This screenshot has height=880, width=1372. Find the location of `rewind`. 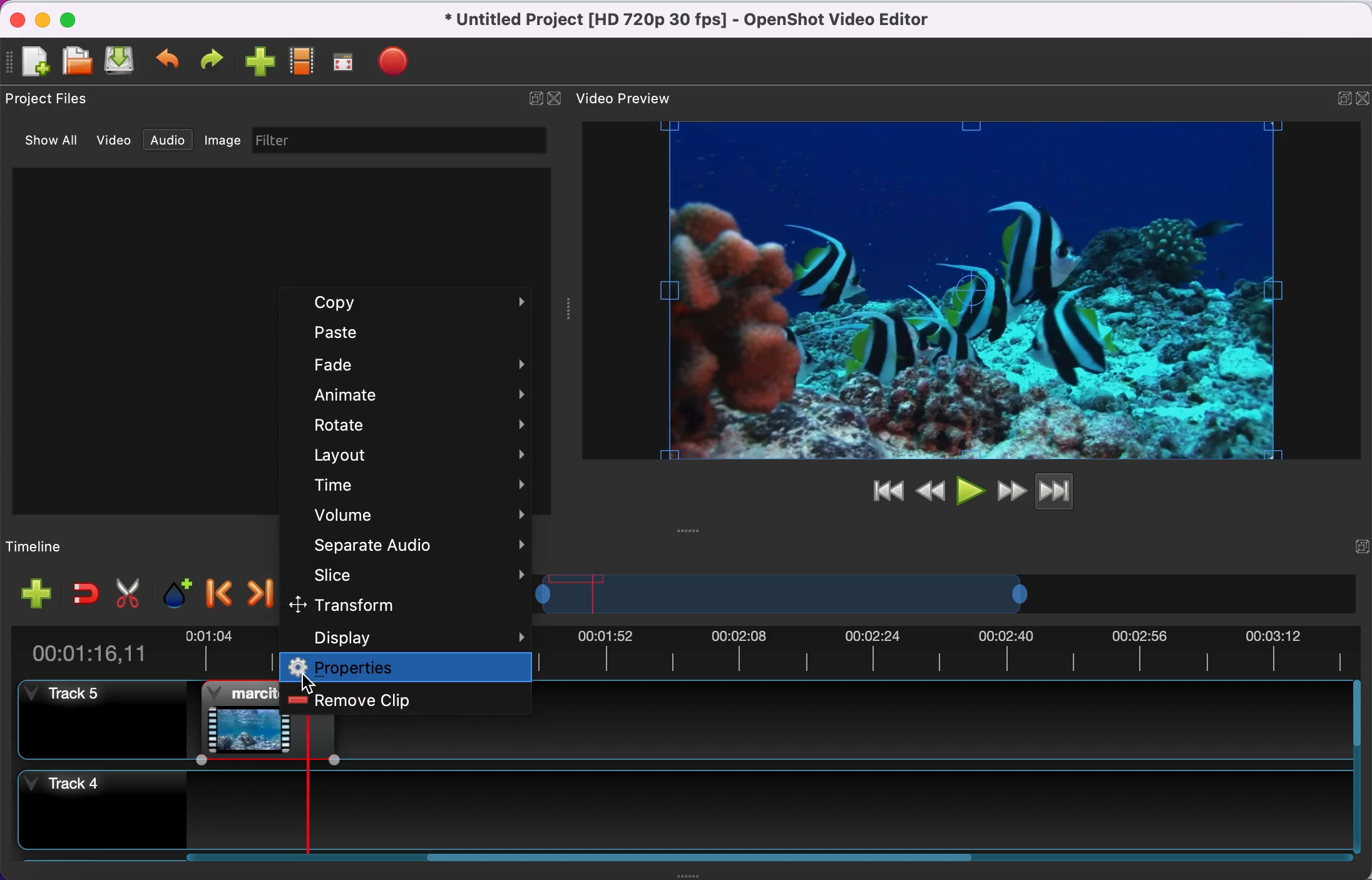

rewind is located at coordinates (930, 489).